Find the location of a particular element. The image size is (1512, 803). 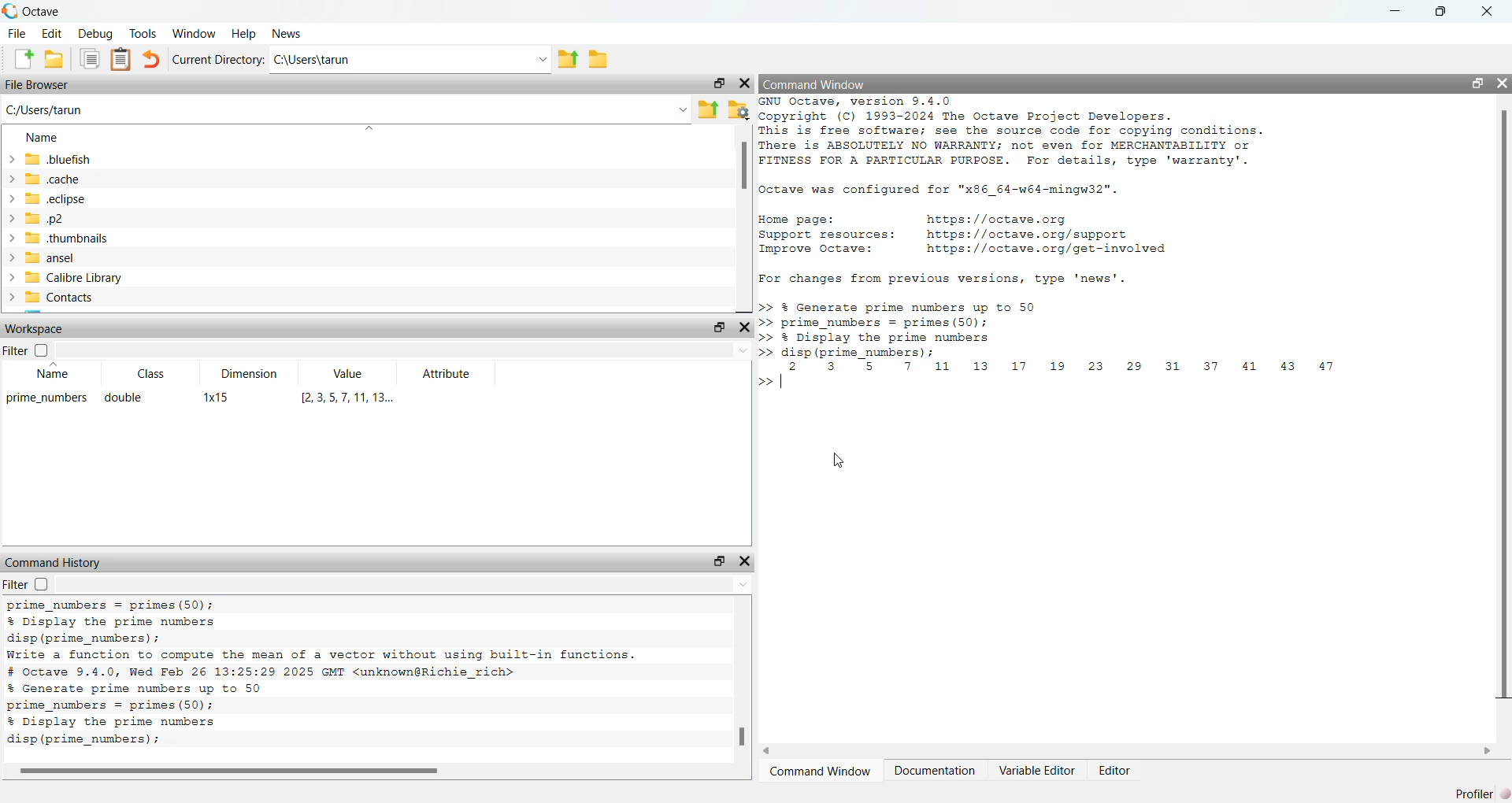

‘Command Window is located at coordinates (820, 772).